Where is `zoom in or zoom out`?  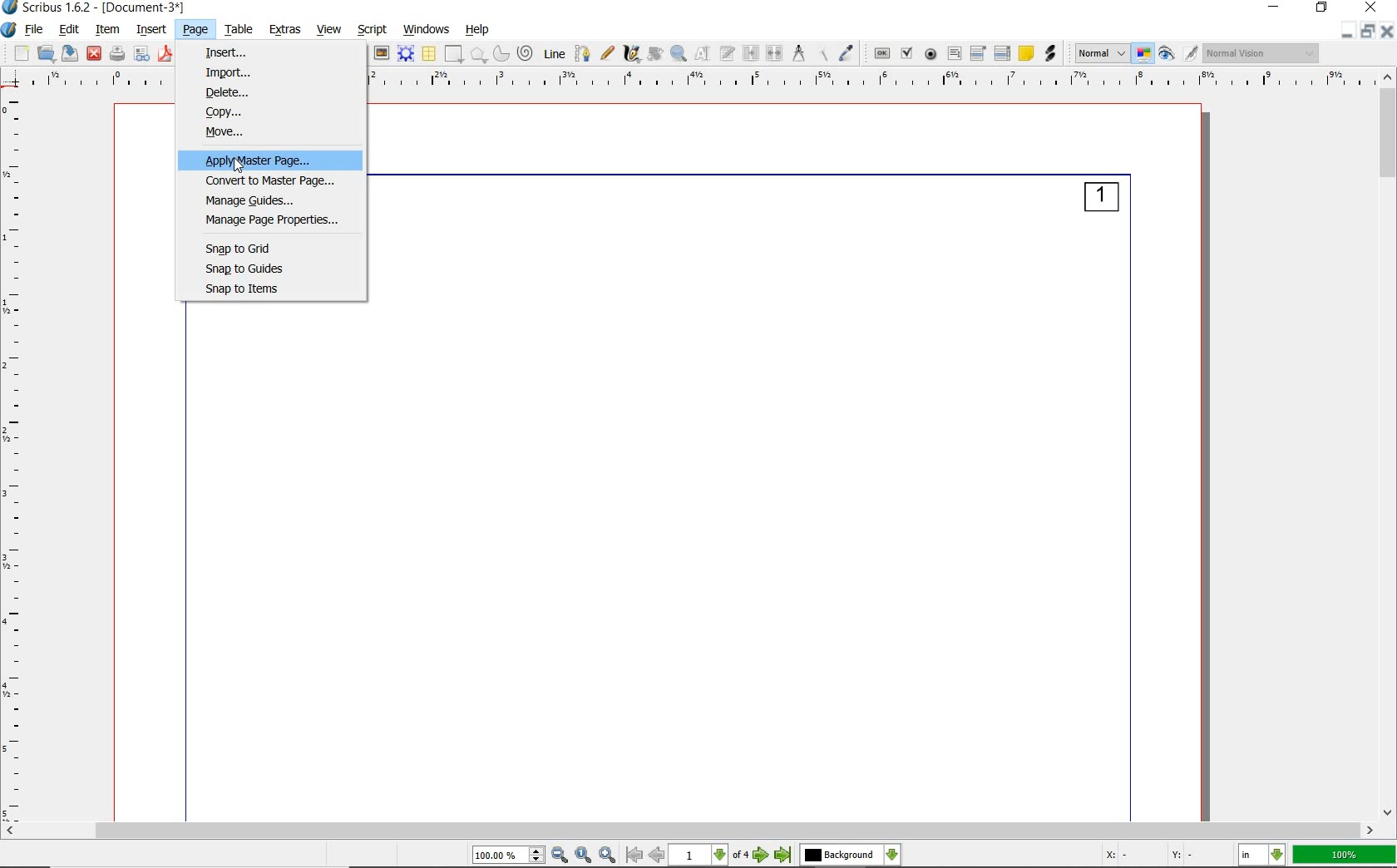
zoom in or zoom out is located at coordinates (678, 53).